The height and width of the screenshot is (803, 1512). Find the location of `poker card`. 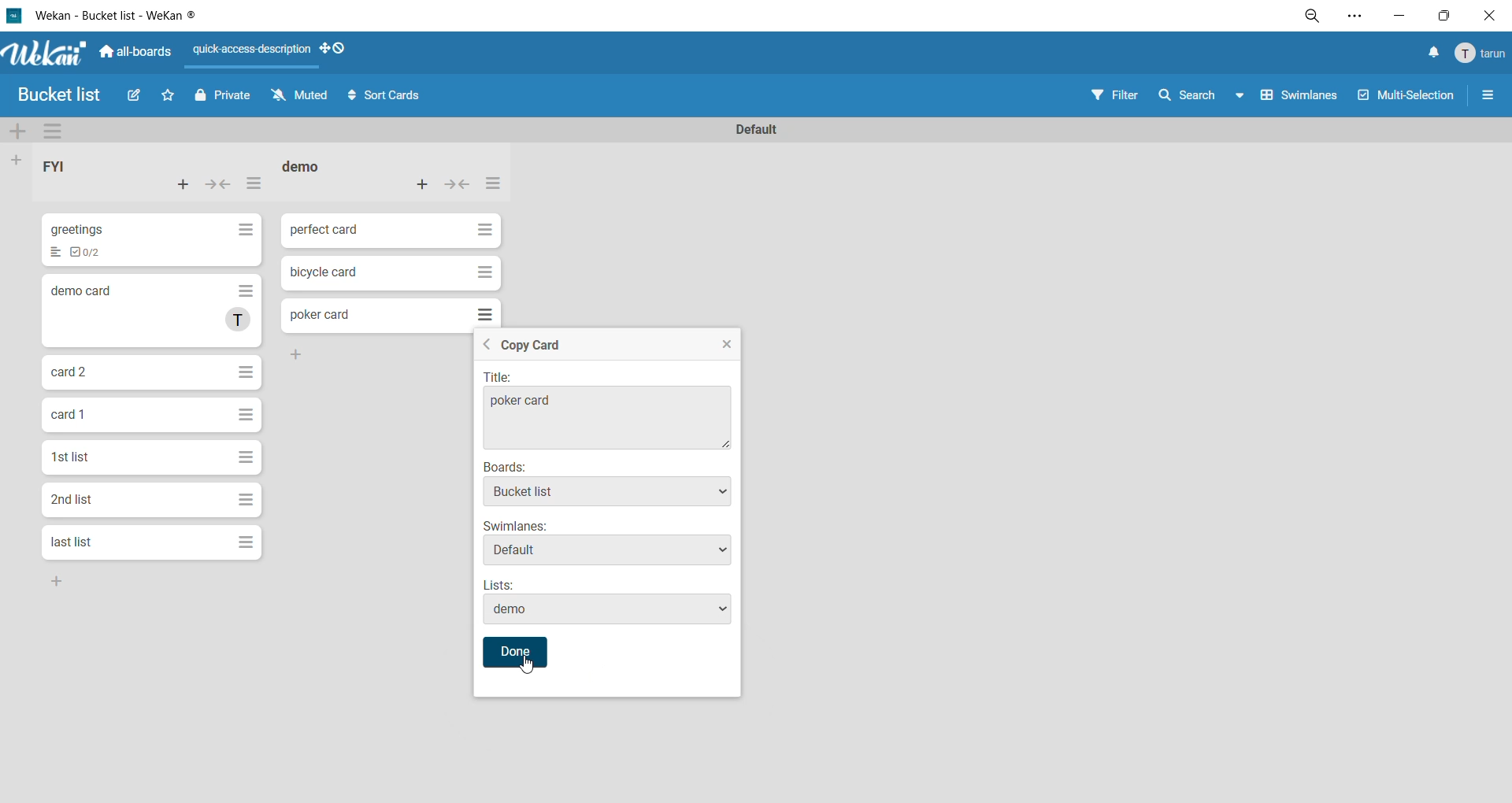

poker card is located at coordinates (322, 313).